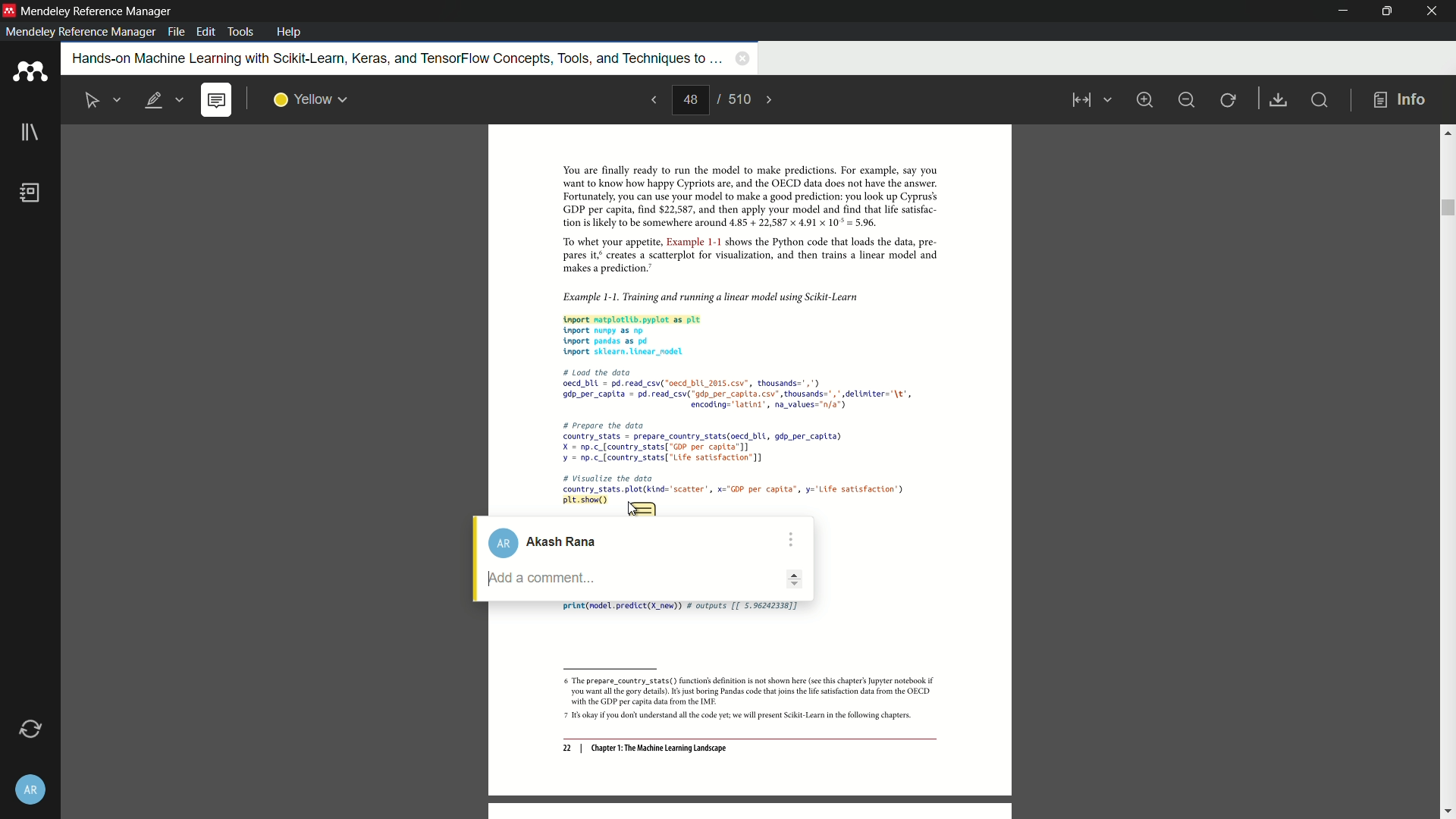 This screenshot has width=1456, height=819. What do you see at coordinates (311, 100) in the screenshot?
I see `highlight color` at bounding box center [311, 100].